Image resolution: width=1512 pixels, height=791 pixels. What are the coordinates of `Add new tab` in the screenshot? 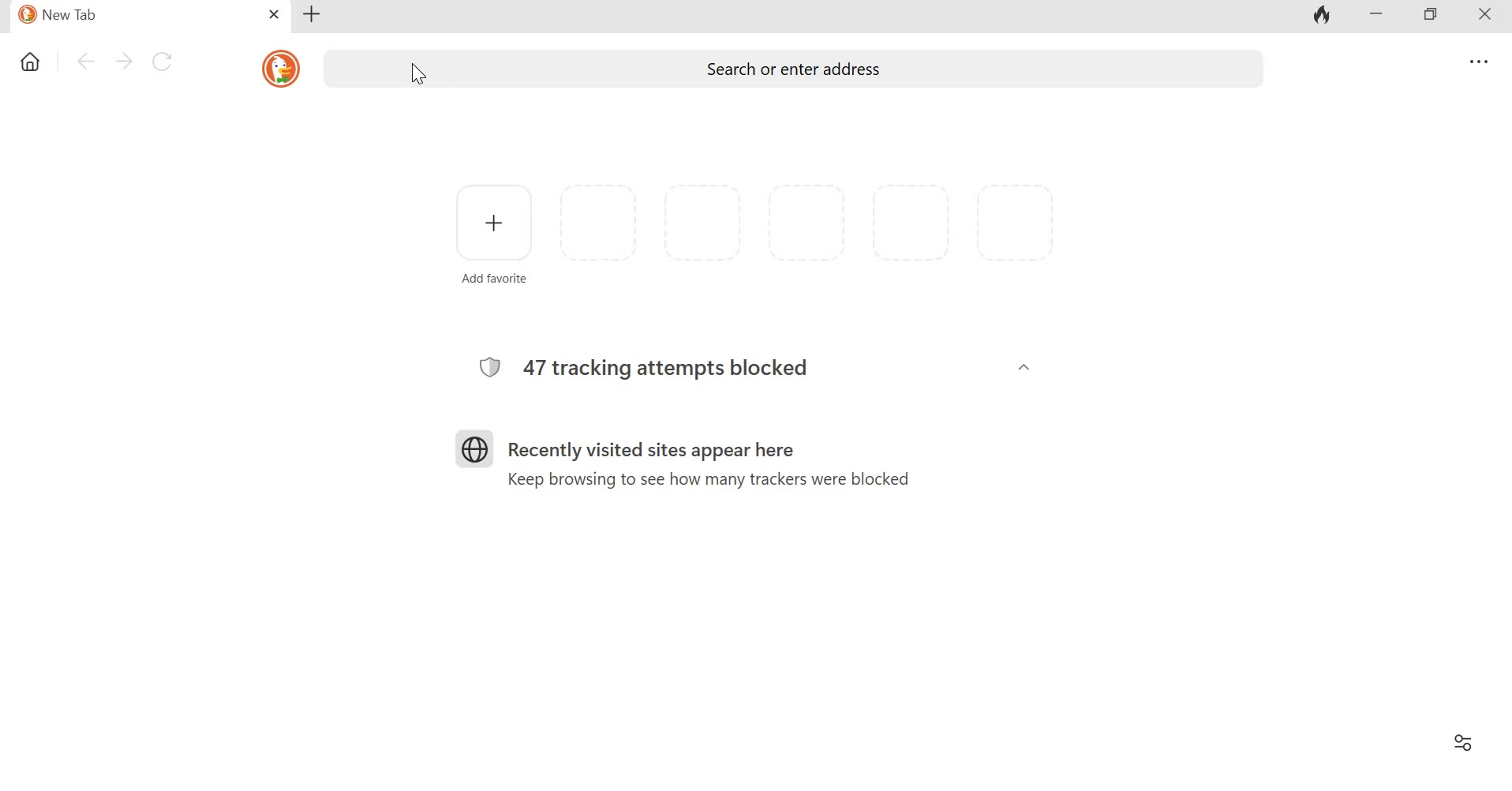 It's located at (313, 15).